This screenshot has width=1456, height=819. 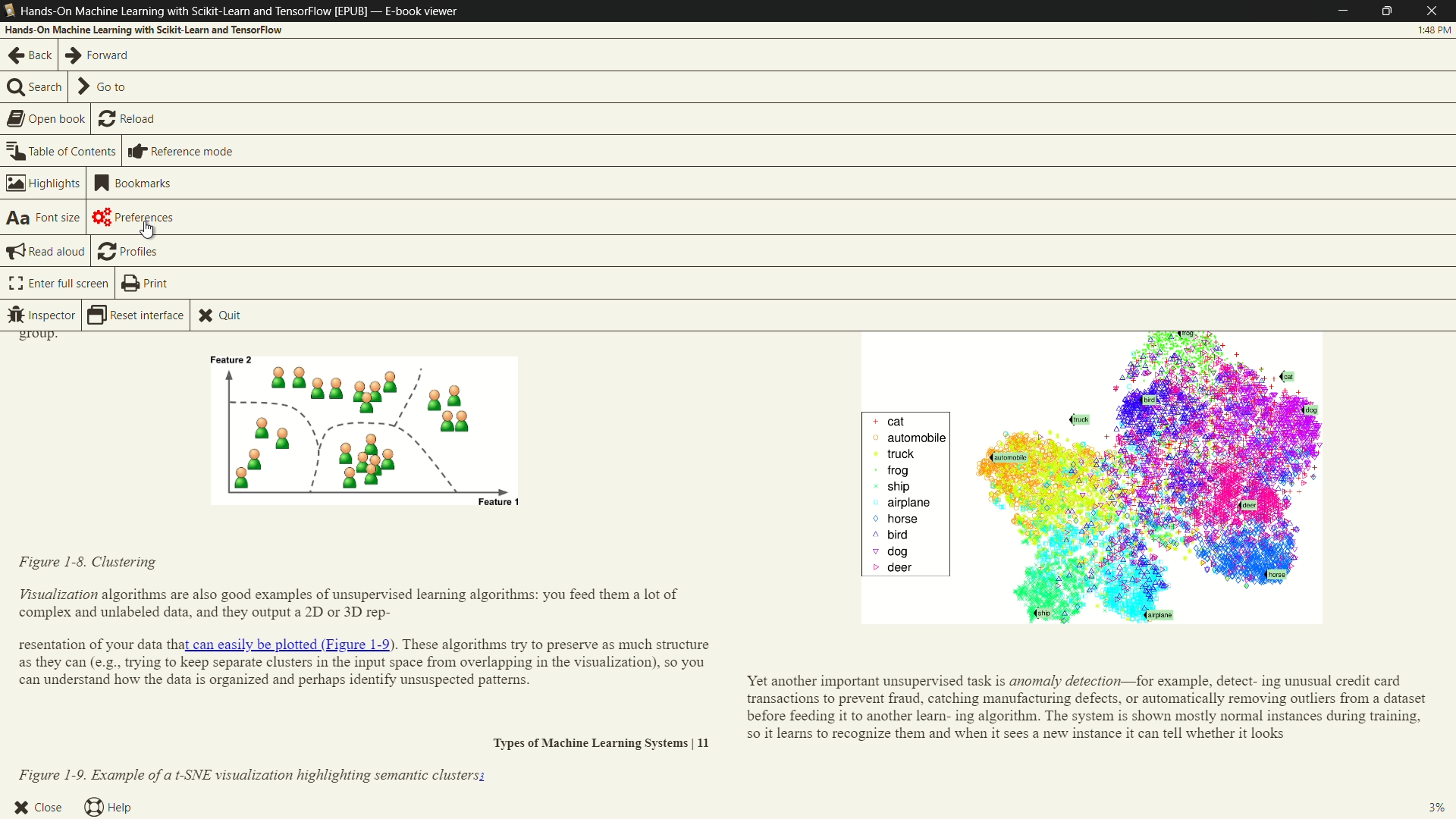 What do you see at coordinates (129, 120) in the screenshot?
I see `reload` at bounding box center [129, 120].